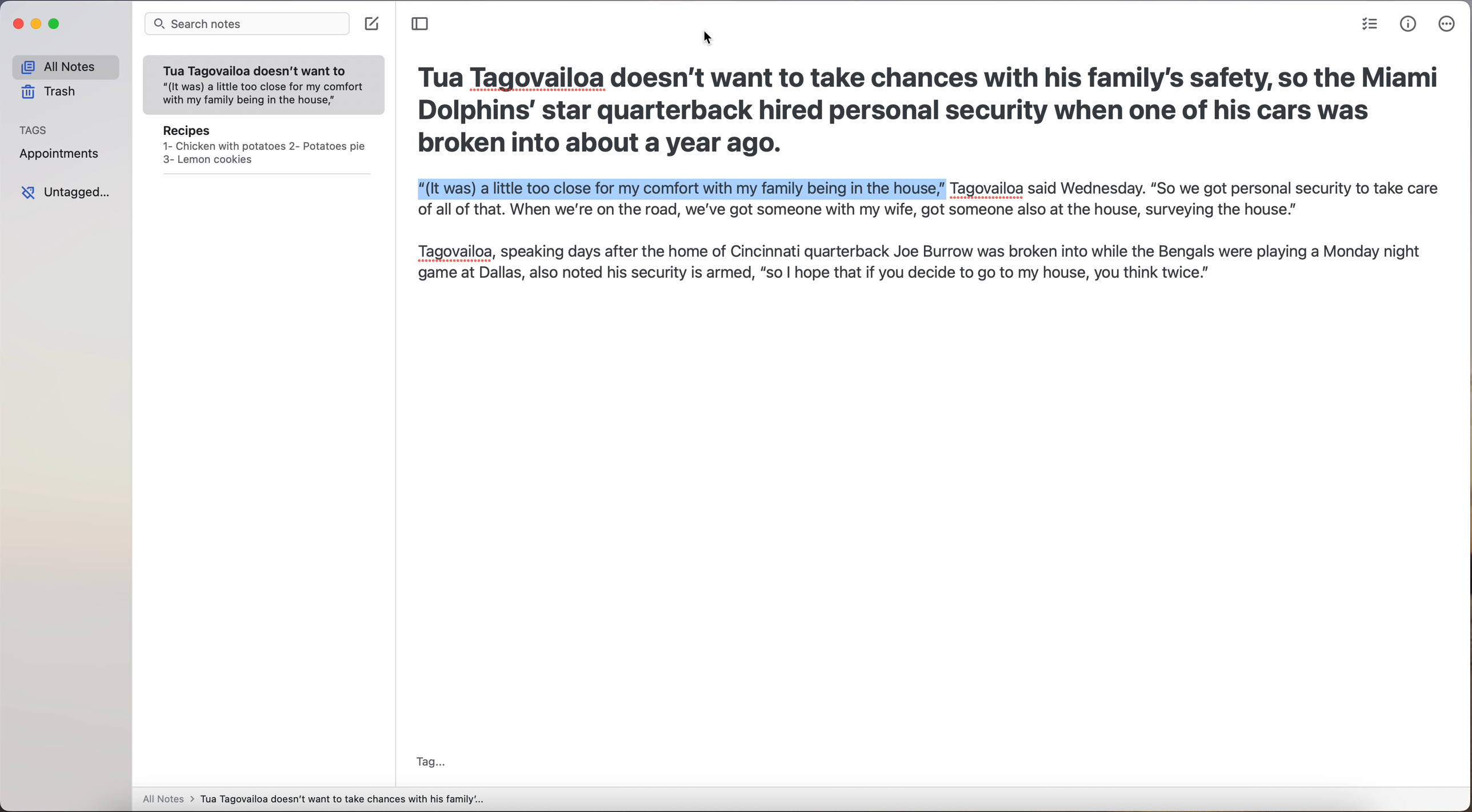  What do you see at coordinates (65, 66) in the screenshot?
I see `all notes` at bounding box center [65, 66].